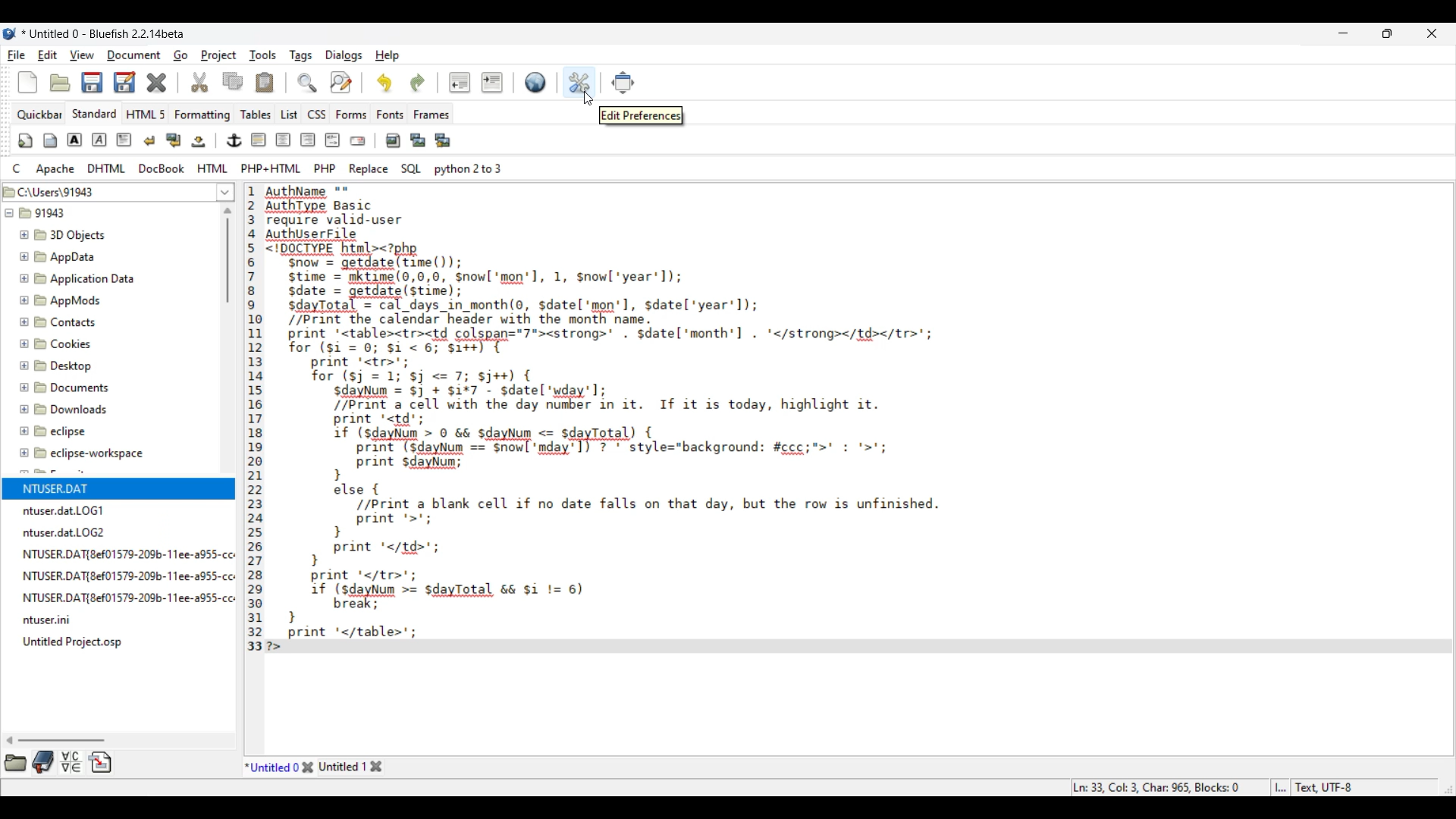 This screenshot has width=1456, height=819. What do you see at coordinates (77, 278) in the screenshot?
I see `Application Data` at bounding box center [77, 278].